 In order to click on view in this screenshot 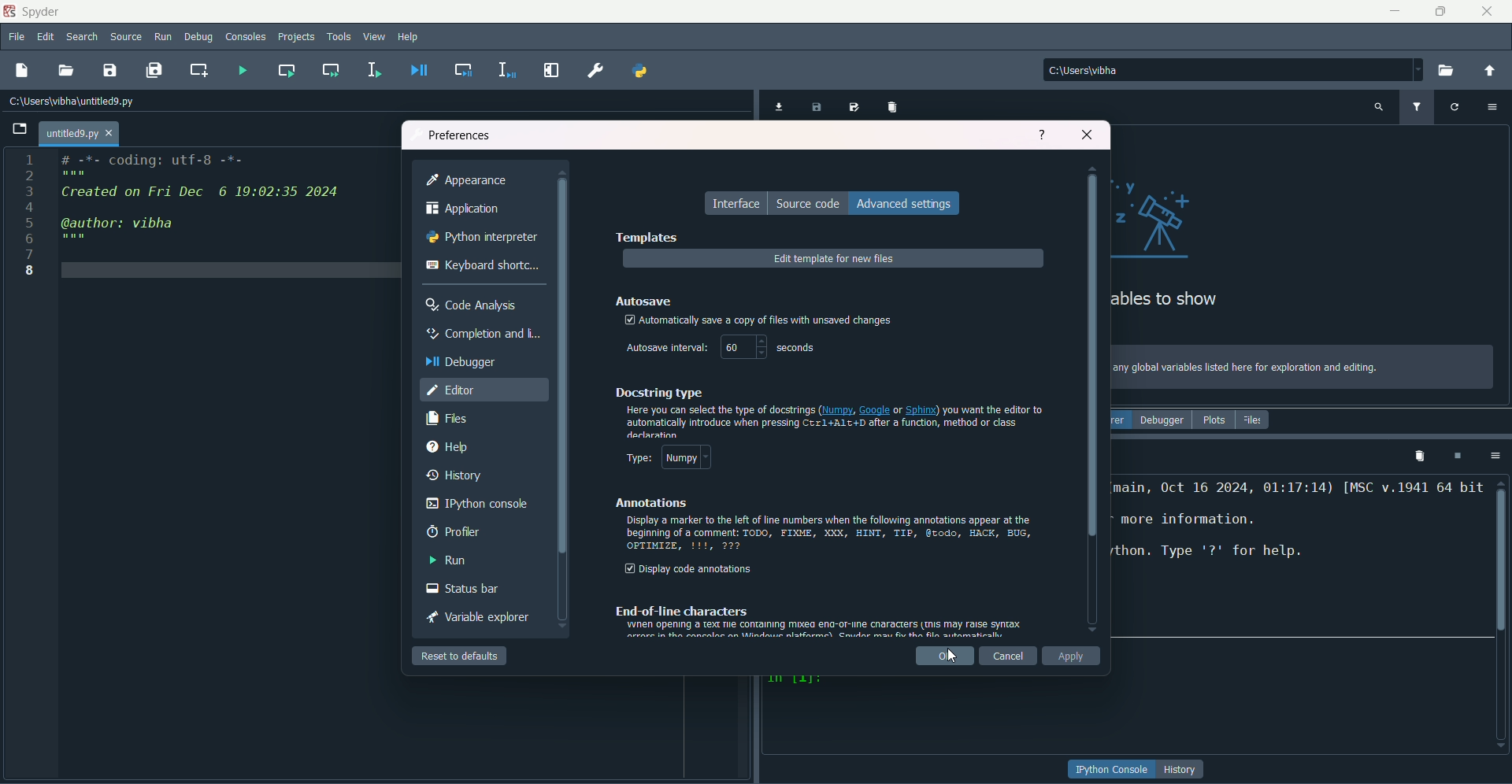, I will do `click(376, 36)`.